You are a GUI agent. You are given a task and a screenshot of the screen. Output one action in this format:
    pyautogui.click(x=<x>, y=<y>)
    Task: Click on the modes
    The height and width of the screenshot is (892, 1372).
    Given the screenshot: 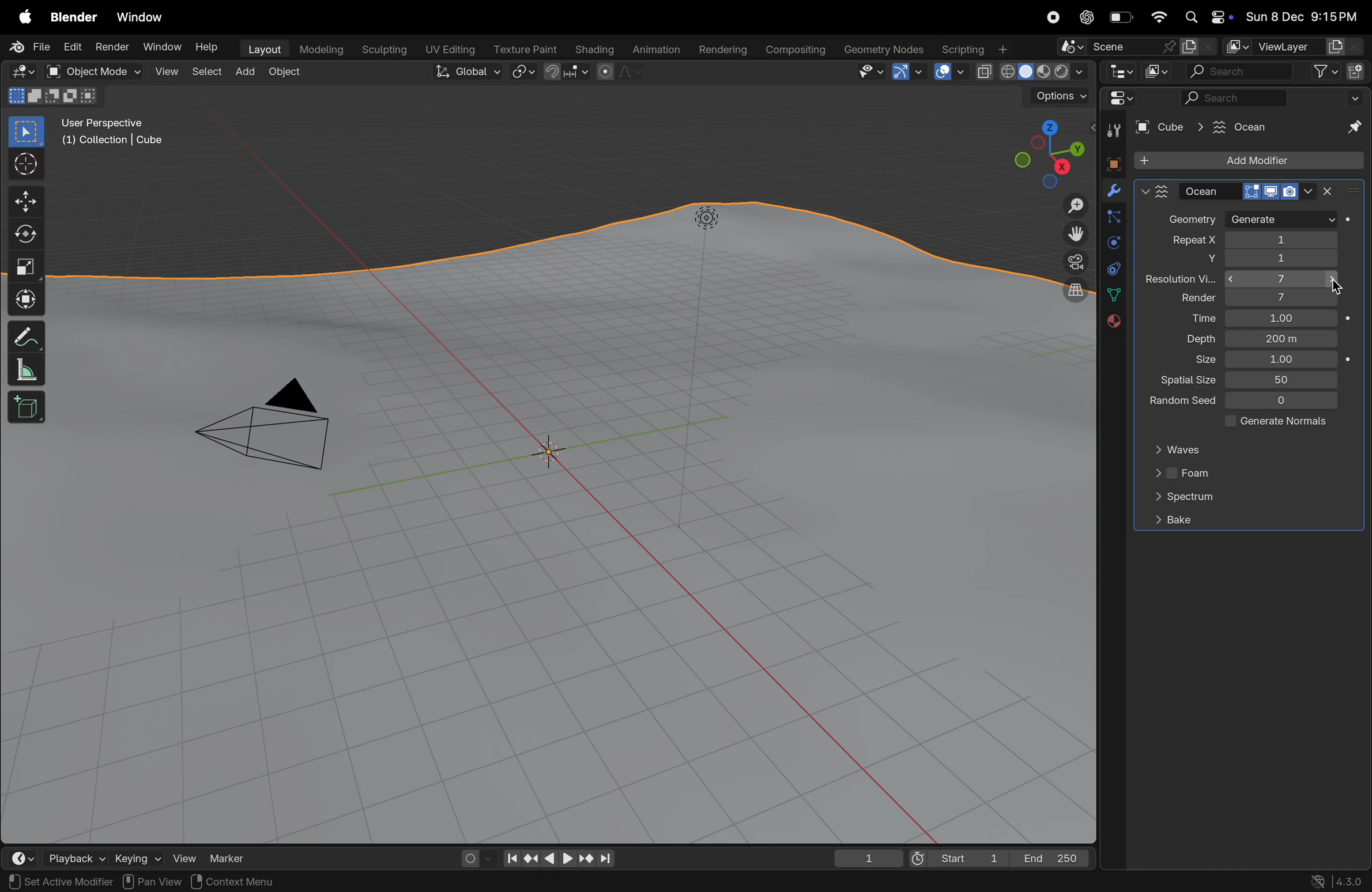 What is the action you would take?
    pyautogui.click(x=52, y=96)
    